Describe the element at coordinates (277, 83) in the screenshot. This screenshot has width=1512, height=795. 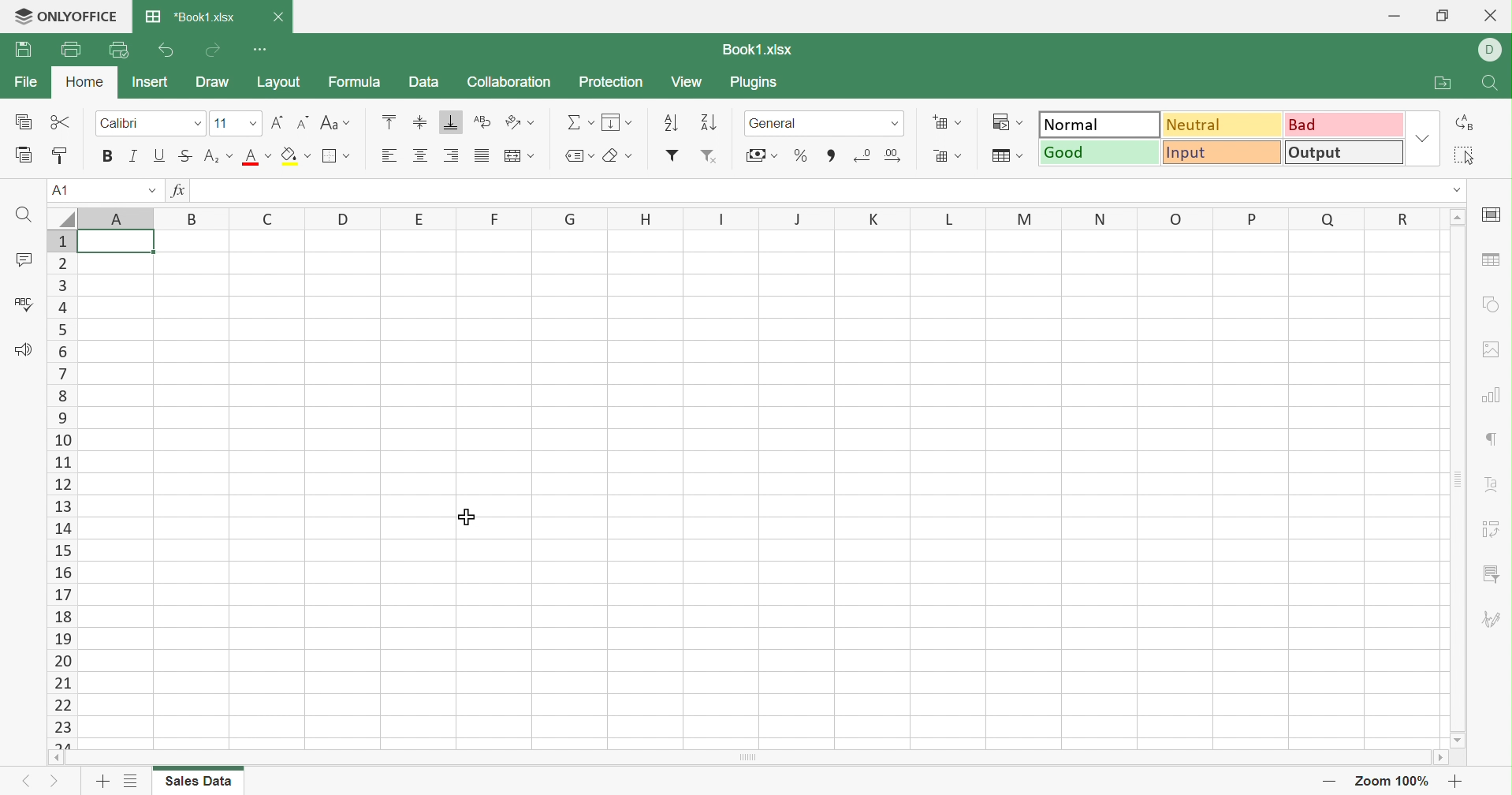
I see `Layout` at that location.